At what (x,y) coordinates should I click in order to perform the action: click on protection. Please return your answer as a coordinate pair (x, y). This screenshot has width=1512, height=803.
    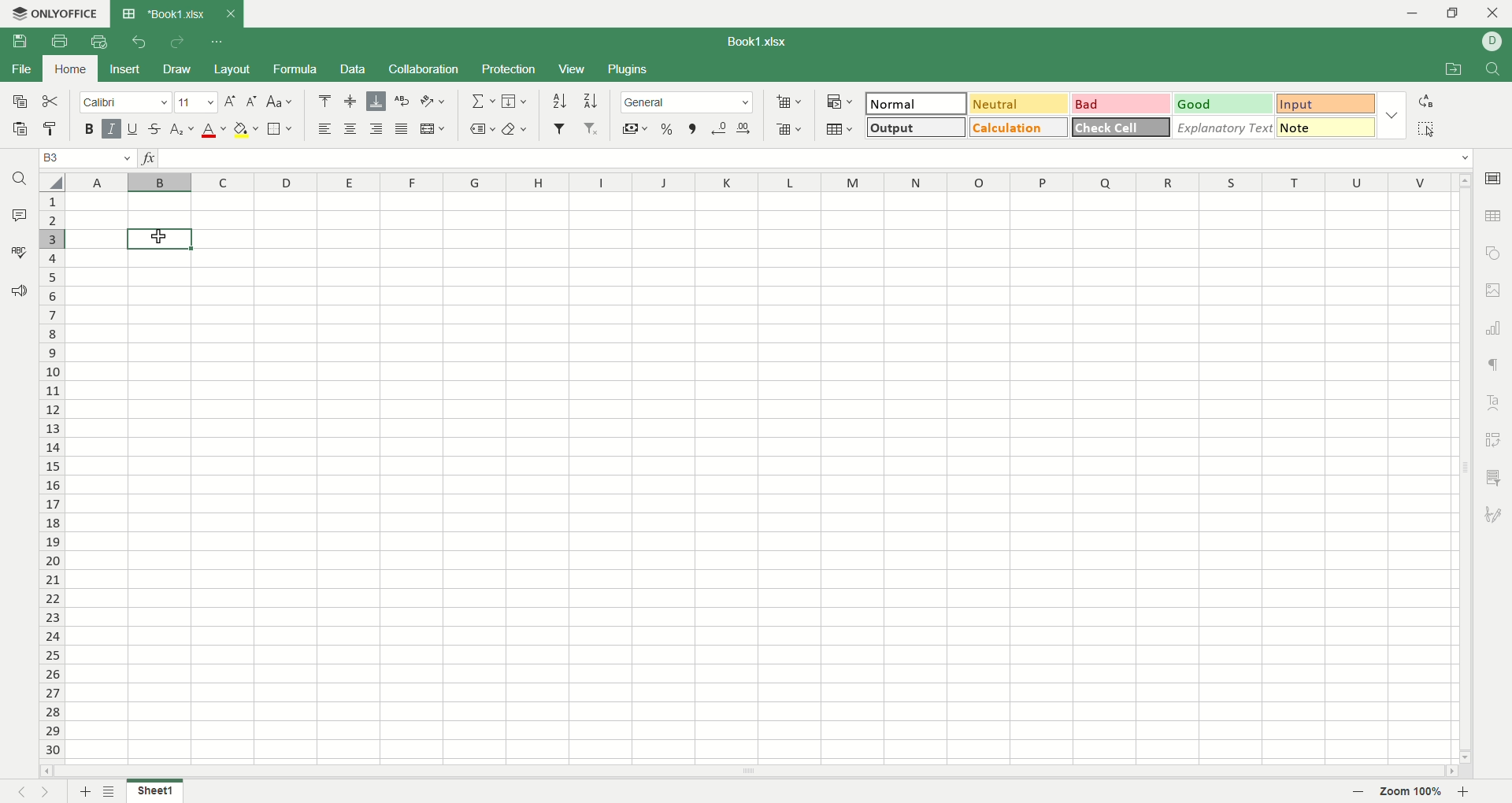
    Looking at the image, I should click on (512, 68).